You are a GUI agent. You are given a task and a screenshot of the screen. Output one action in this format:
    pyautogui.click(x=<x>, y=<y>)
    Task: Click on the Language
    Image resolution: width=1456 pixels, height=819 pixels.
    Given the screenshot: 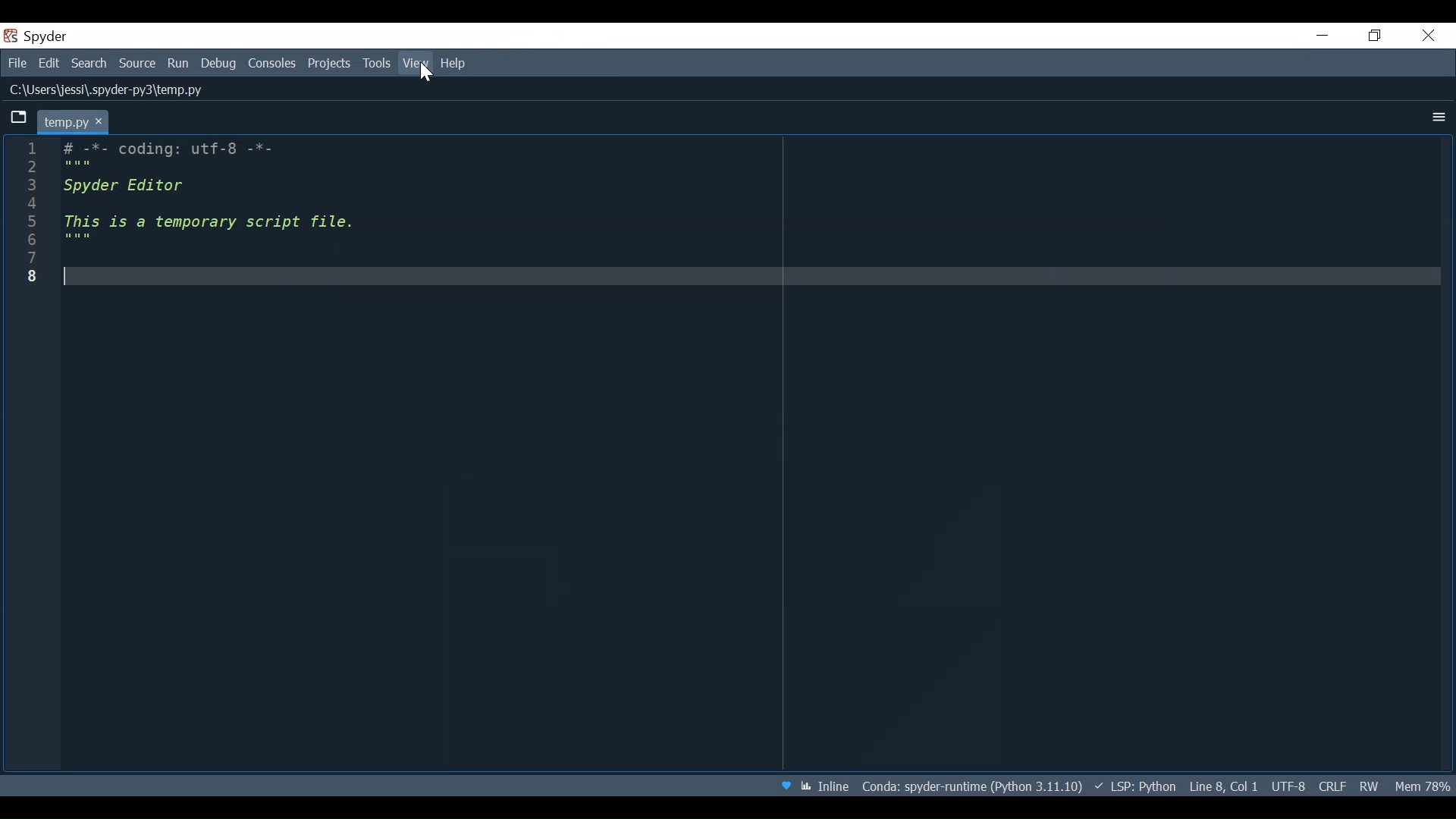 What is the action you would take?
    pyautogui.click(x=1134, y=786)
    